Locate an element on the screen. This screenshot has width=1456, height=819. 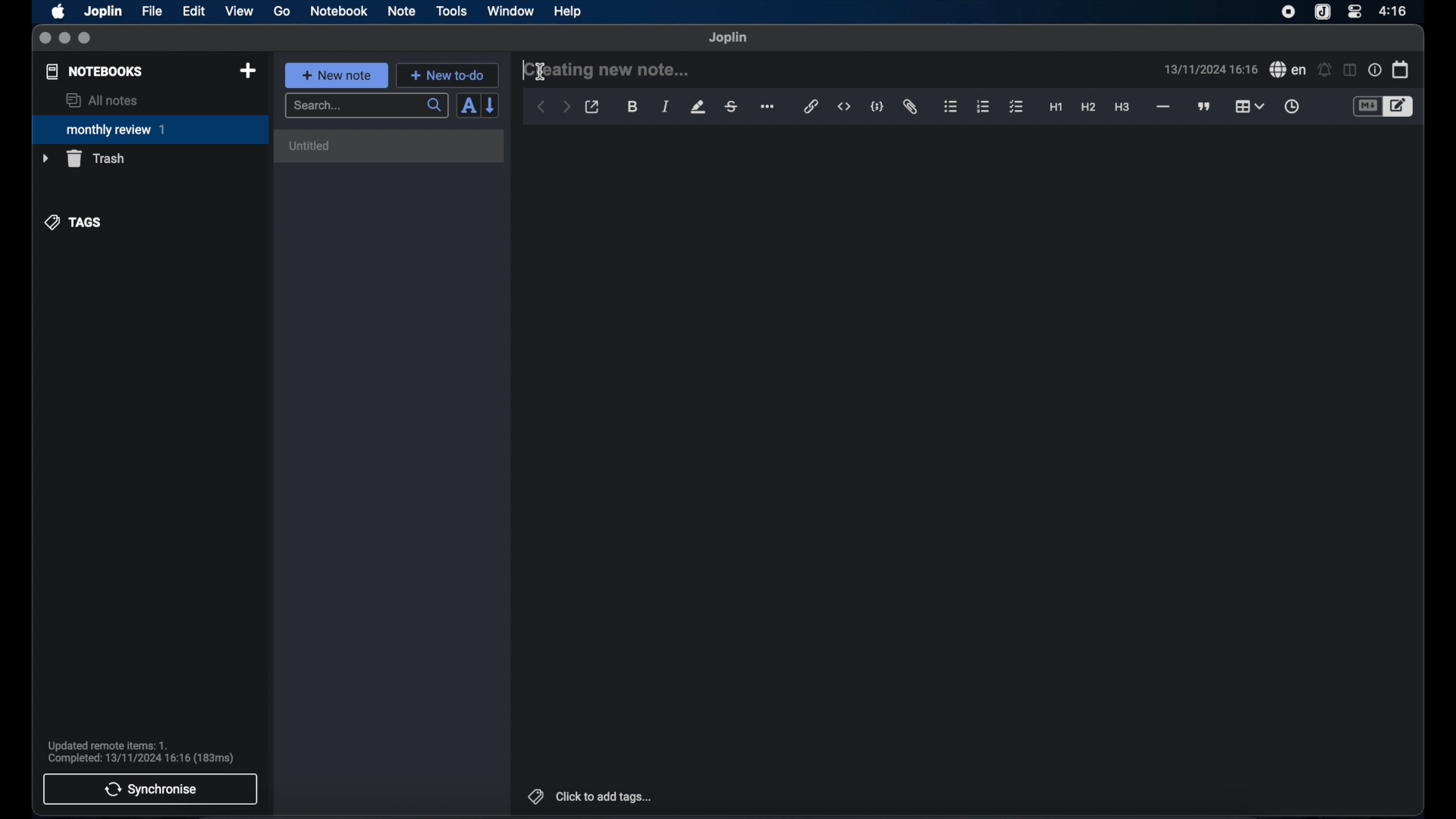
synchronise is located at coordinates (150, 789).